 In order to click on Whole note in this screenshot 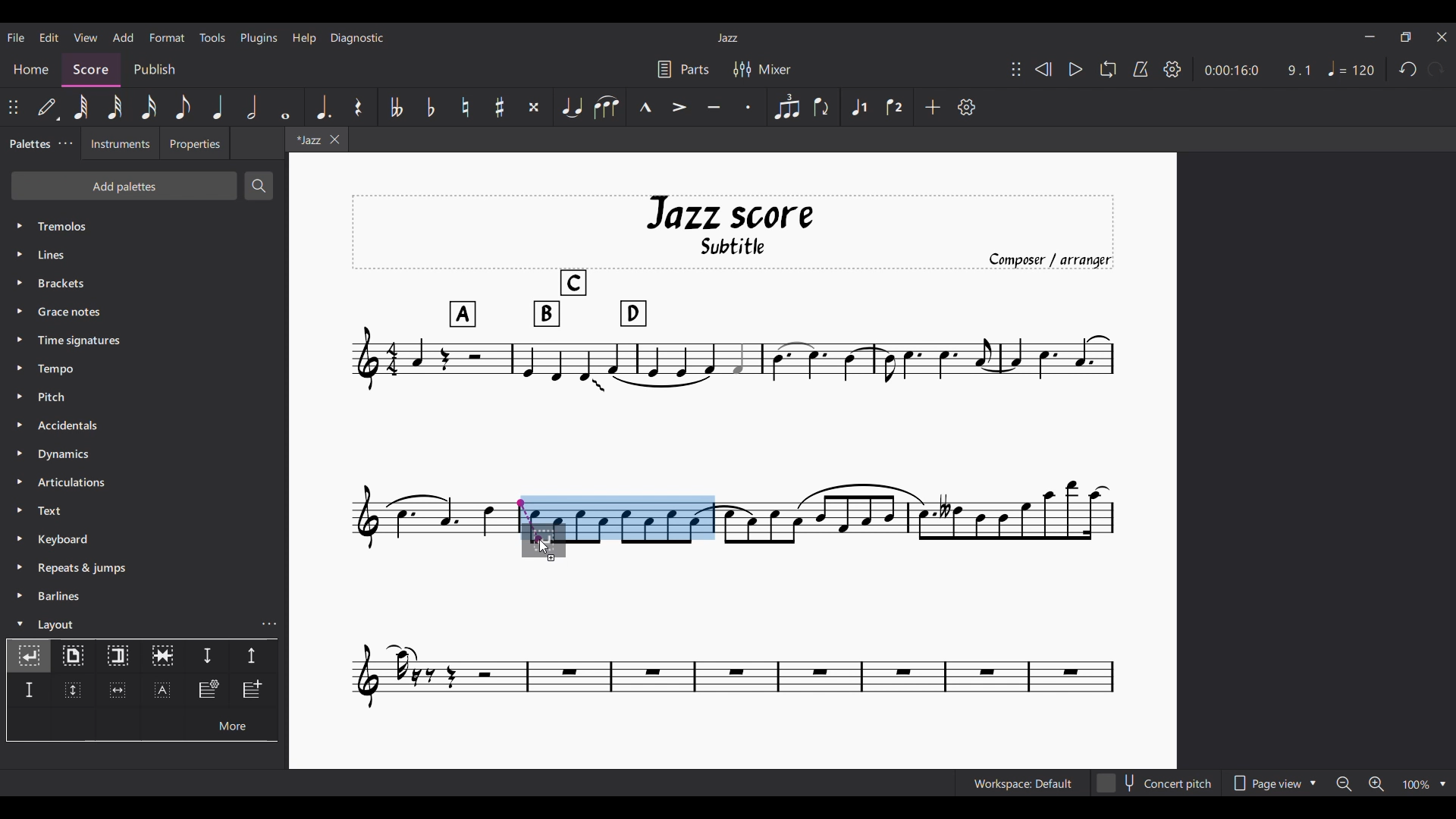, I will do `click(286, 107)`.